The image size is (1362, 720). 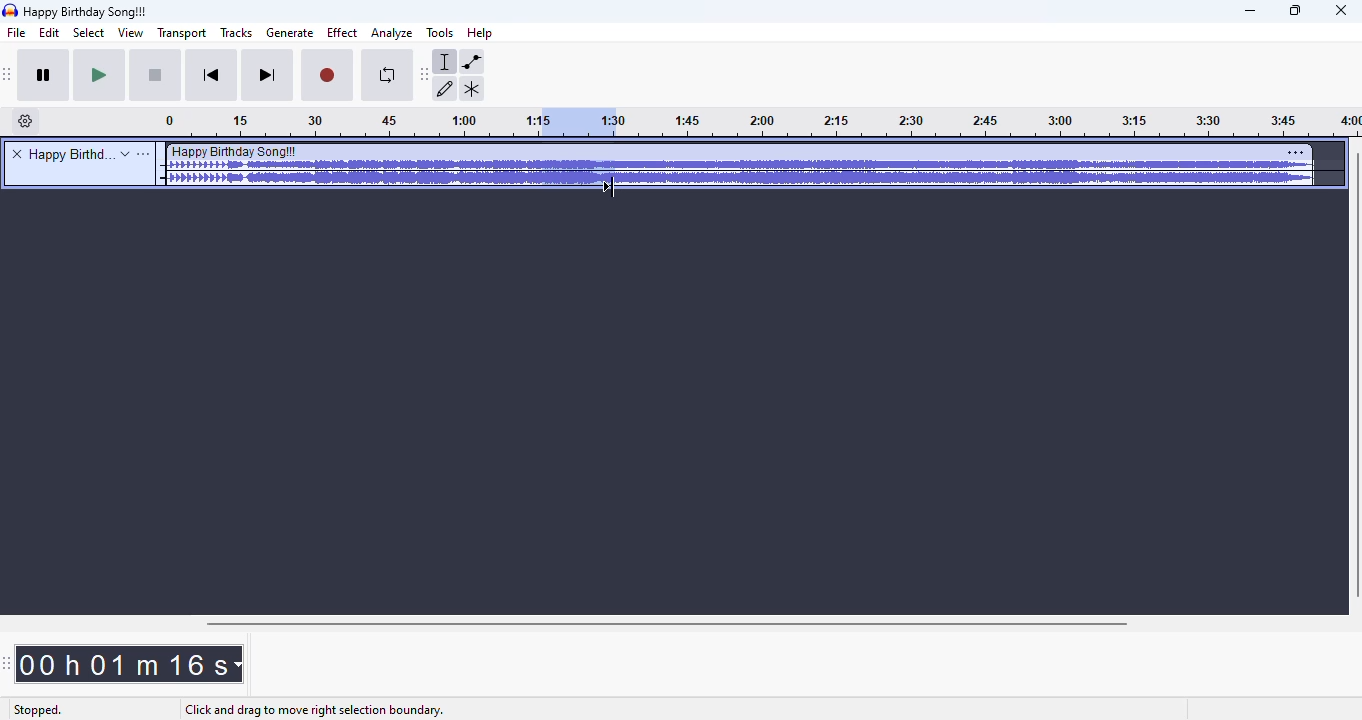 I want to click on tools, so click(x=439, y=33).